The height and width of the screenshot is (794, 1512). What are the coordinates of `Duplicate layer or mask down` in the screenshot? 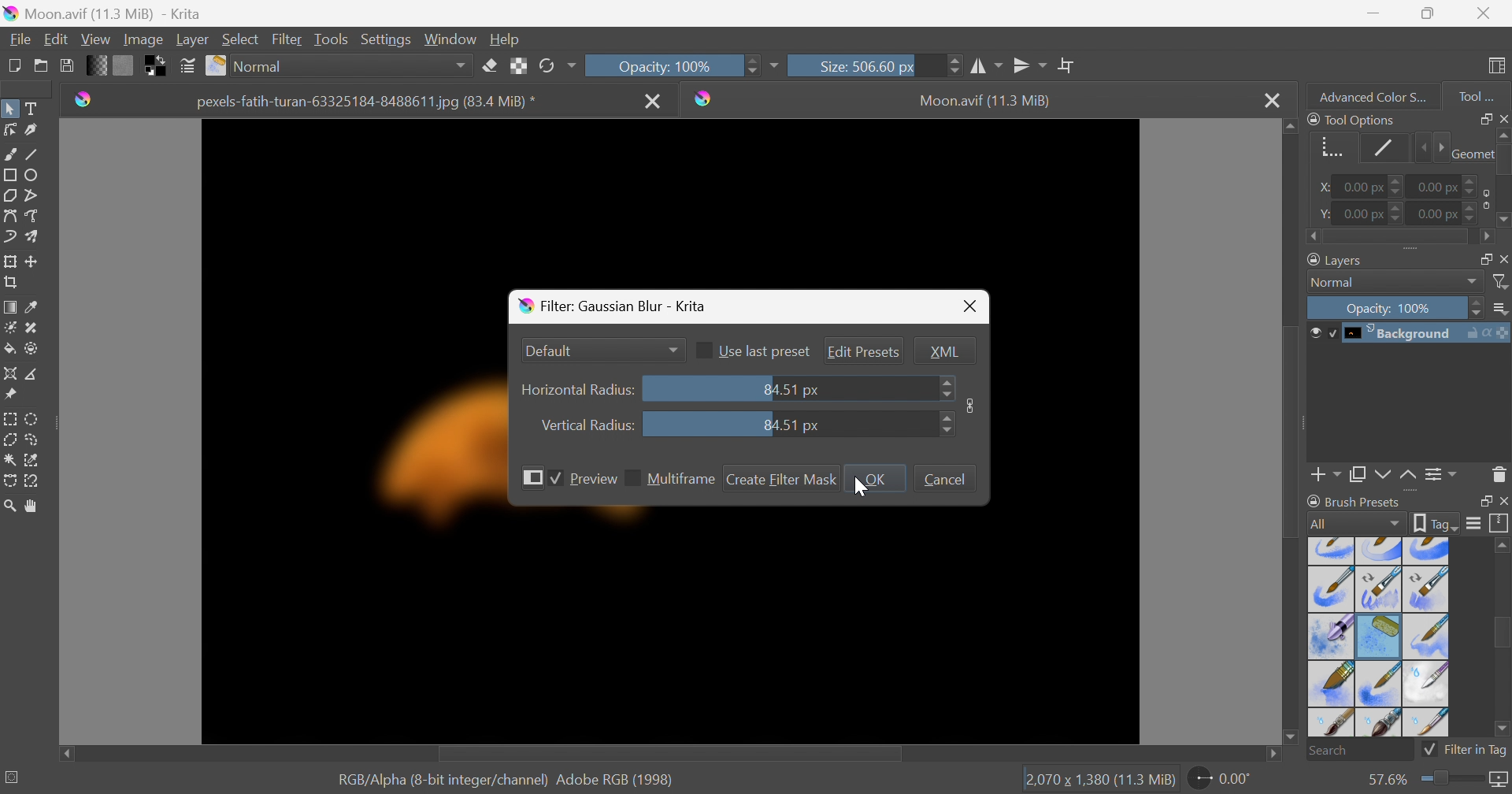 It's located at (1357, 477).